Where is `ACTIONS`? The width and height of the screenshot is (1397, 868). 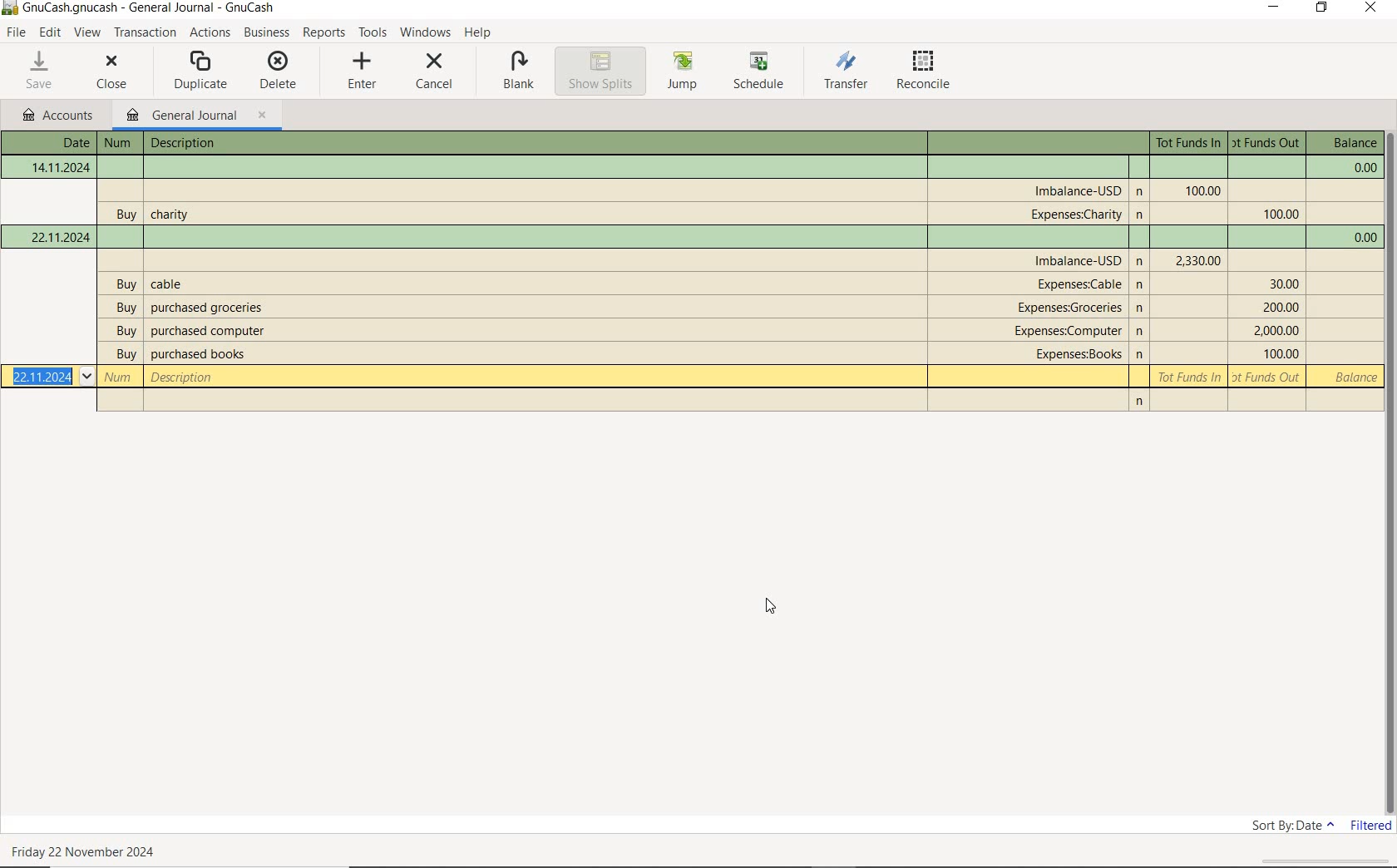 ACTIONS is located at coordinates (210, 34).